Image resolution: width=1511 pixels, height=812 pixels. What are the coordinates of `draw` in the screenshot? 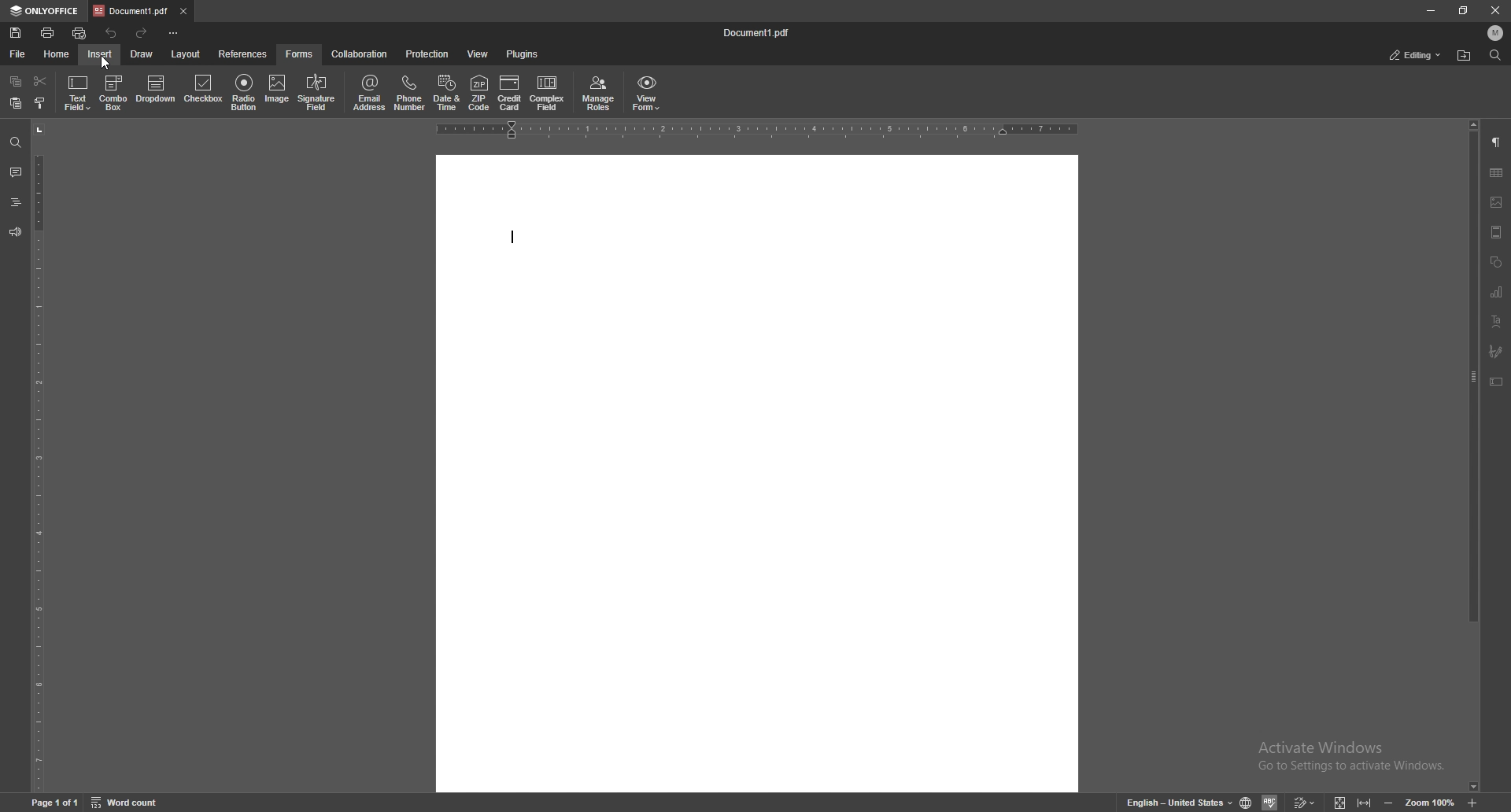 It's located at (142, 54).